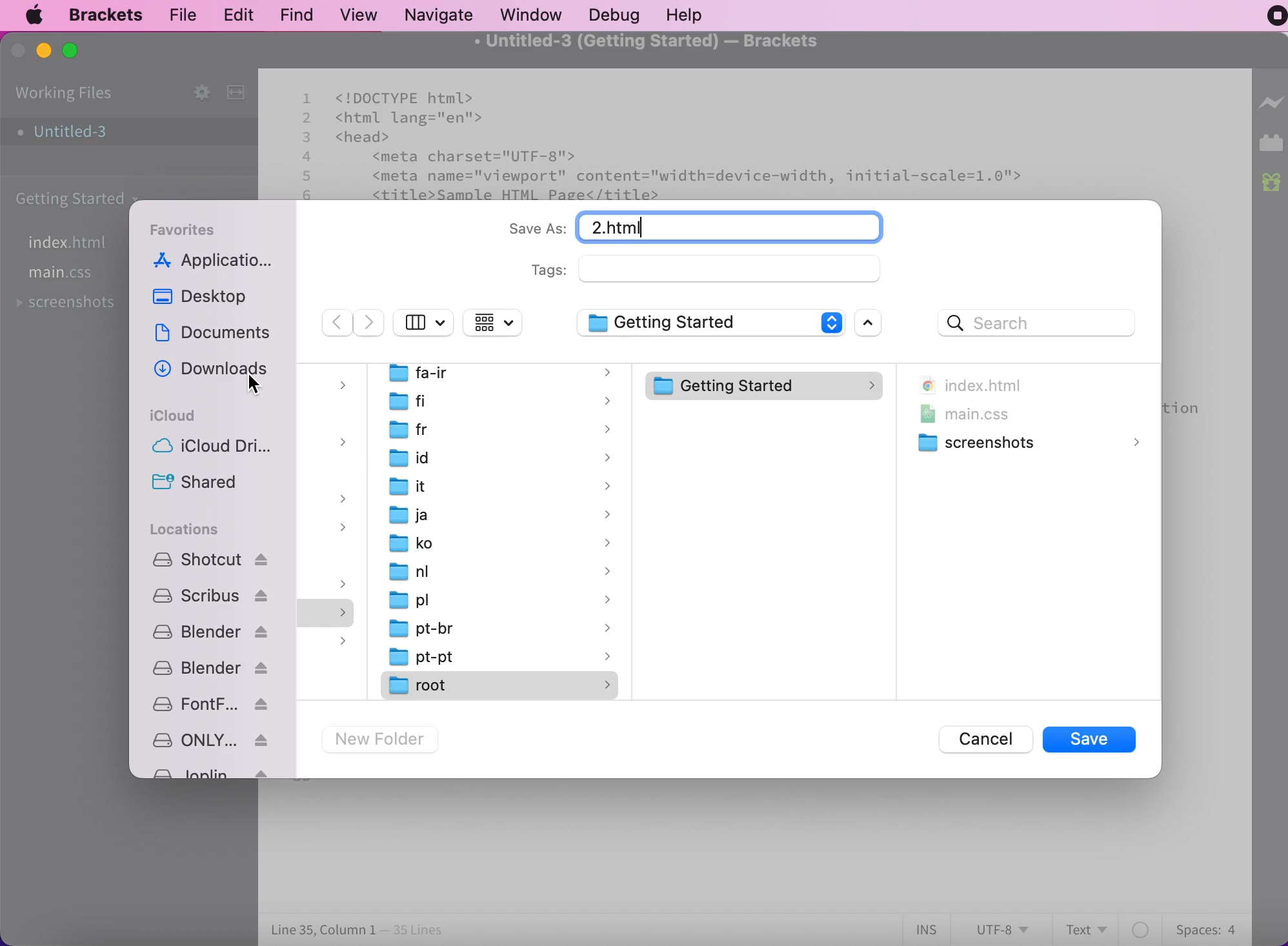 The width and height of the screenshot is (1288, 946). I want to click on dropdown, so click(343, 583).